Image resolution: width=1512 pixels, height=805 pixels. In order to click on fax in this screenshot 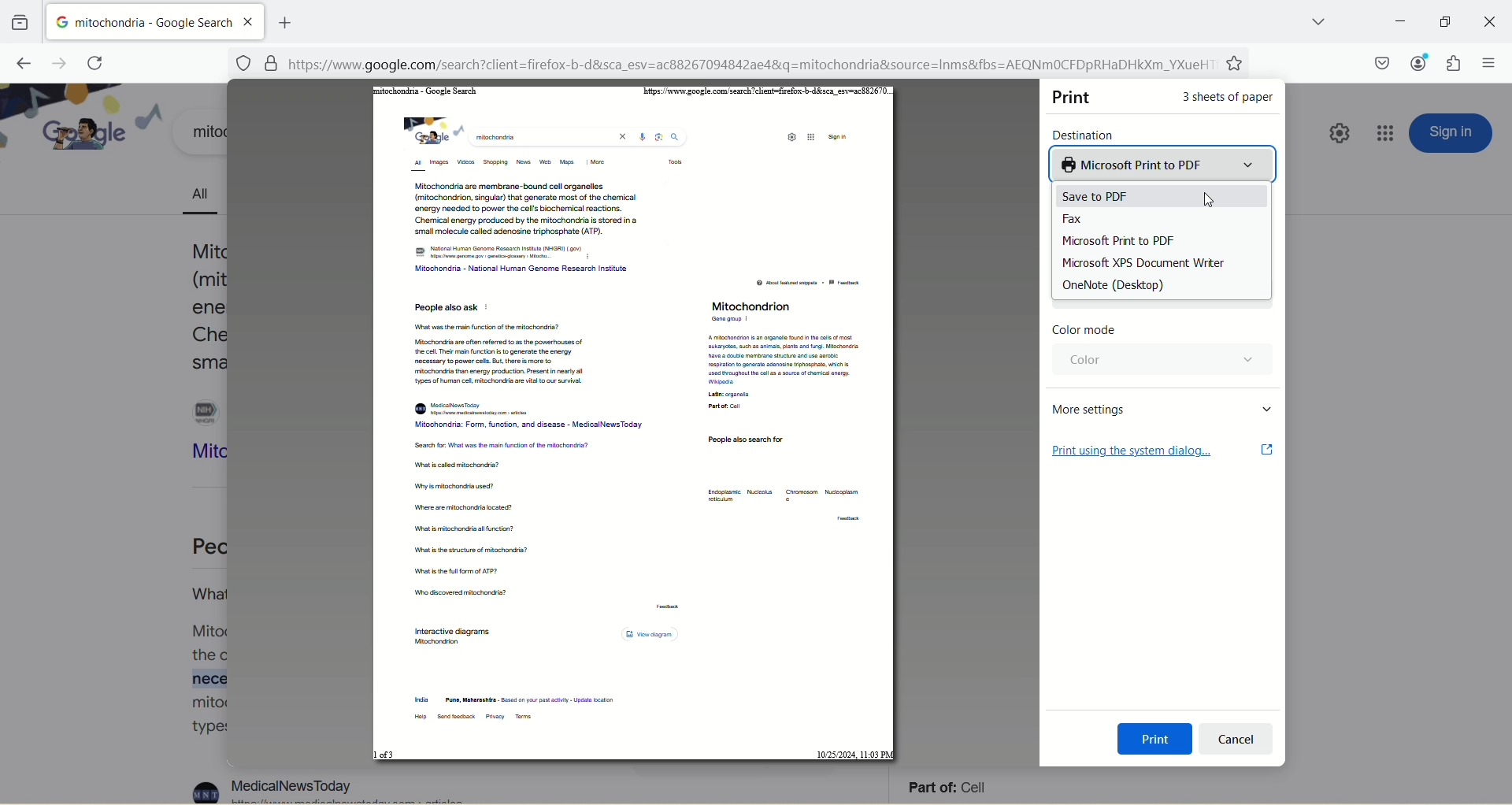, I will do `click(1163, 218)`.